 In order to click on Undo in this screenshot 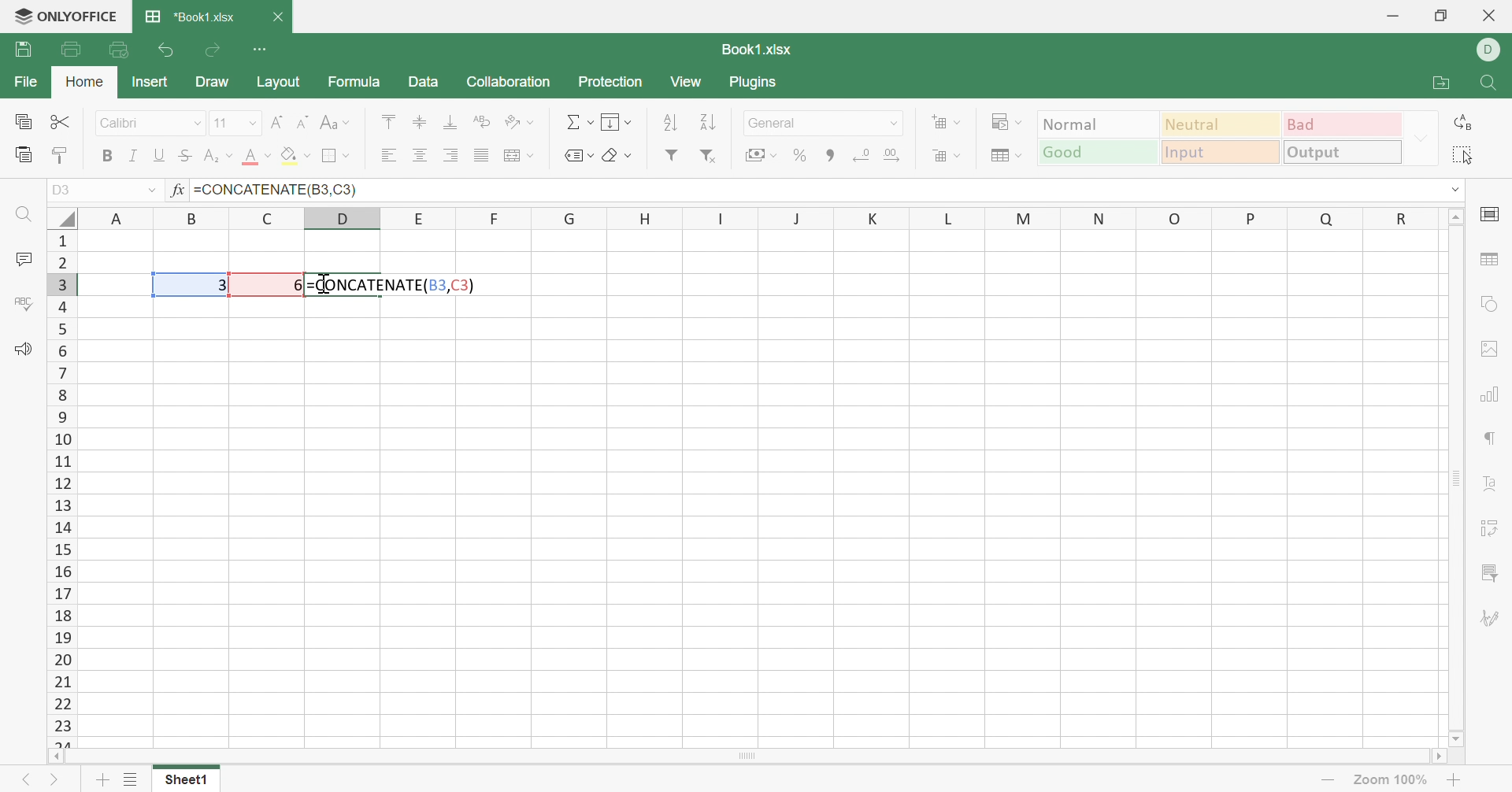, I will do `click(169, 51)`.